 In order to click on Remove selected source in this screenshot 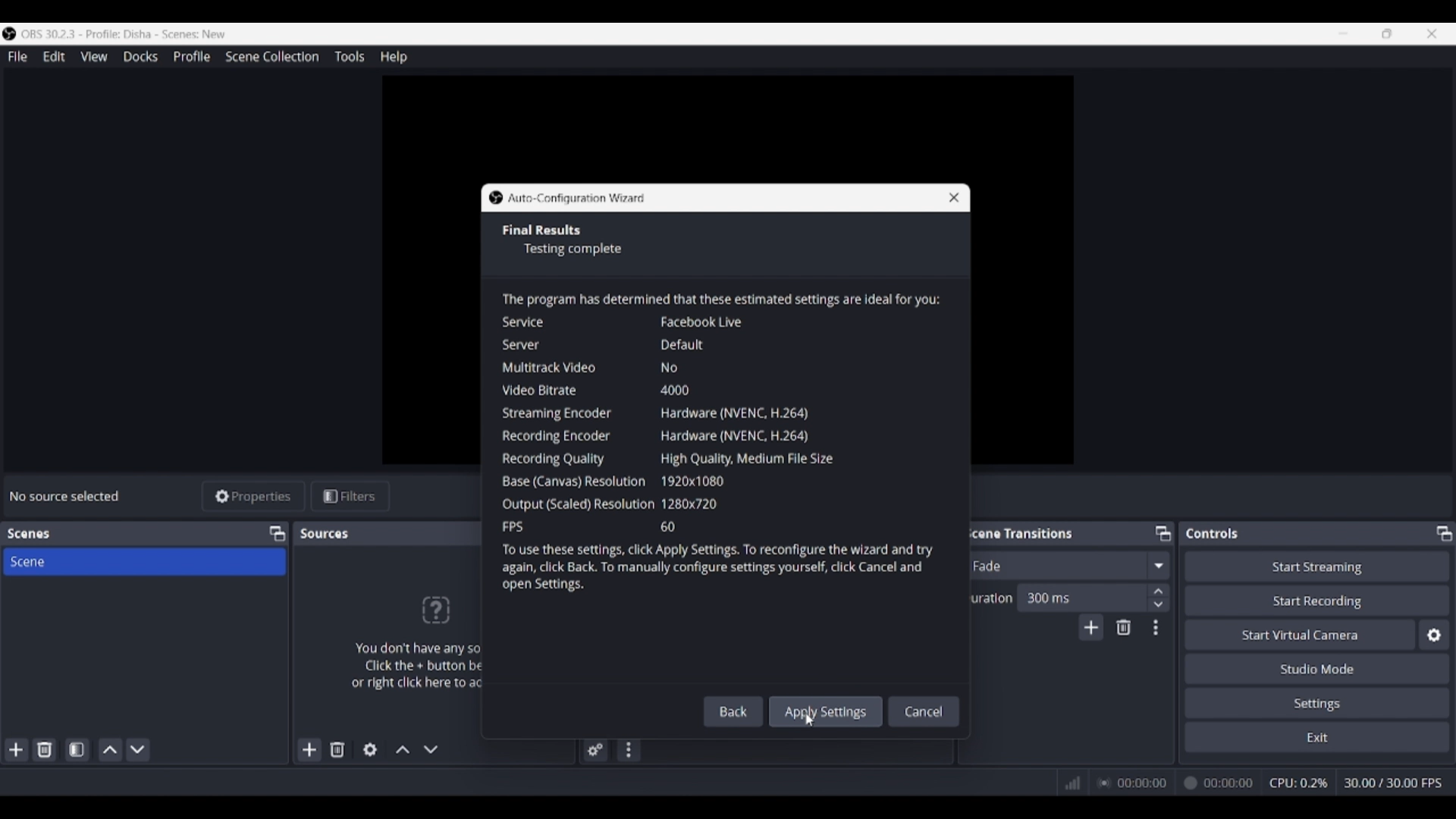, I will do `click(337, 749)`.